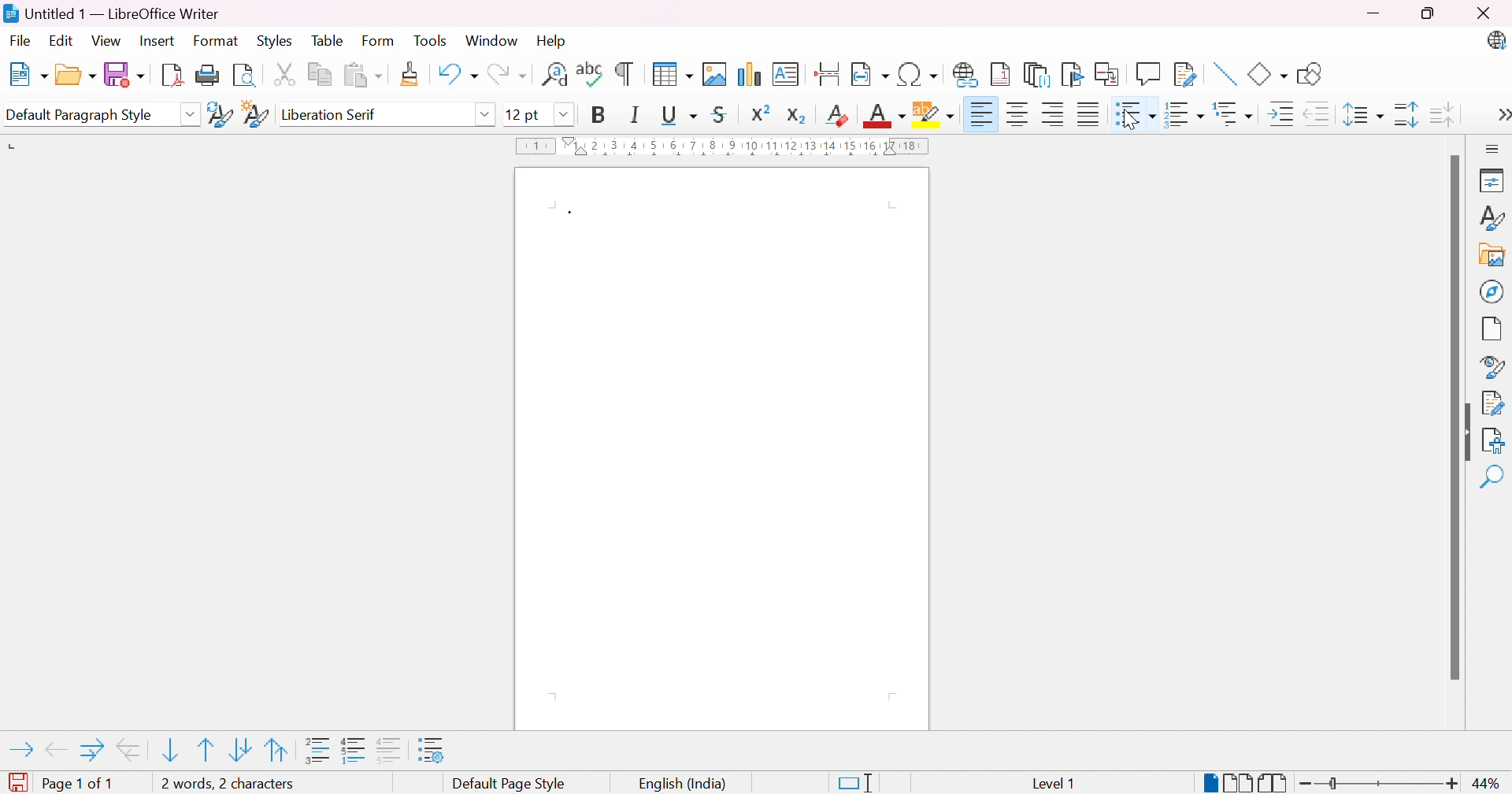 This screenshot has width=1512, height=794. Describe the element at coordinates (217, 41) in the screenshot. I see `Format` at that location.